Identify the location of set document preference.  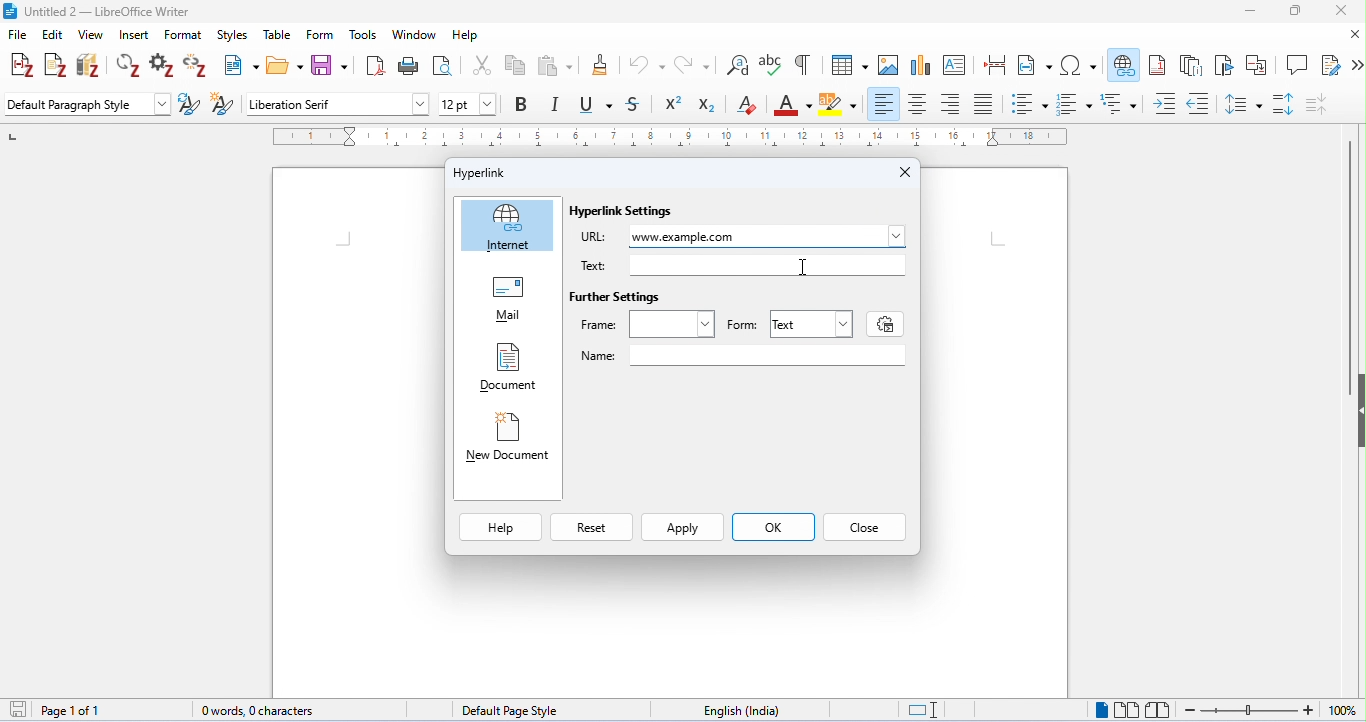
(164, 65).